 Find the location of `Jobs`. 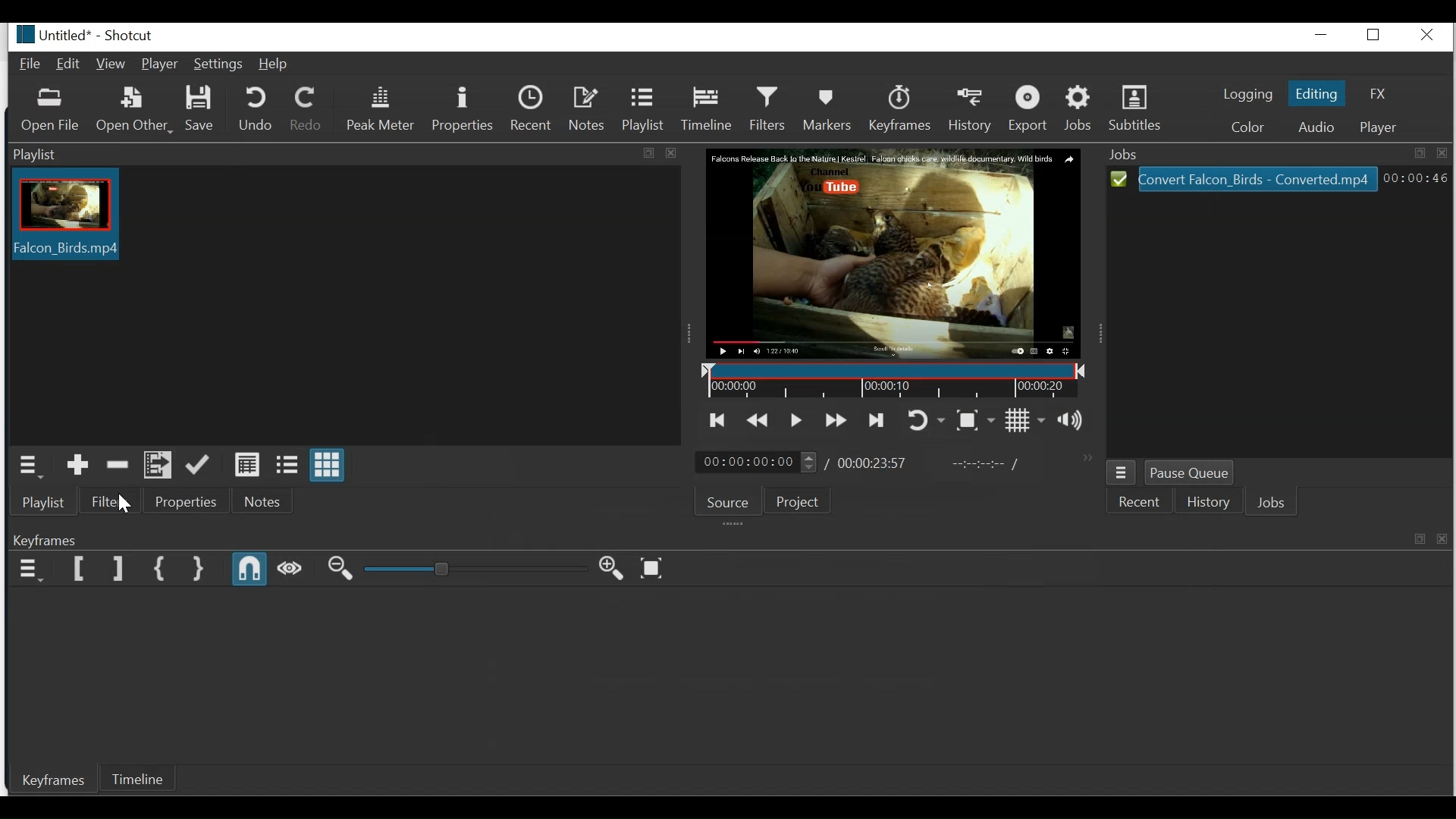

Jobs is located at coordinates (1279, 153).